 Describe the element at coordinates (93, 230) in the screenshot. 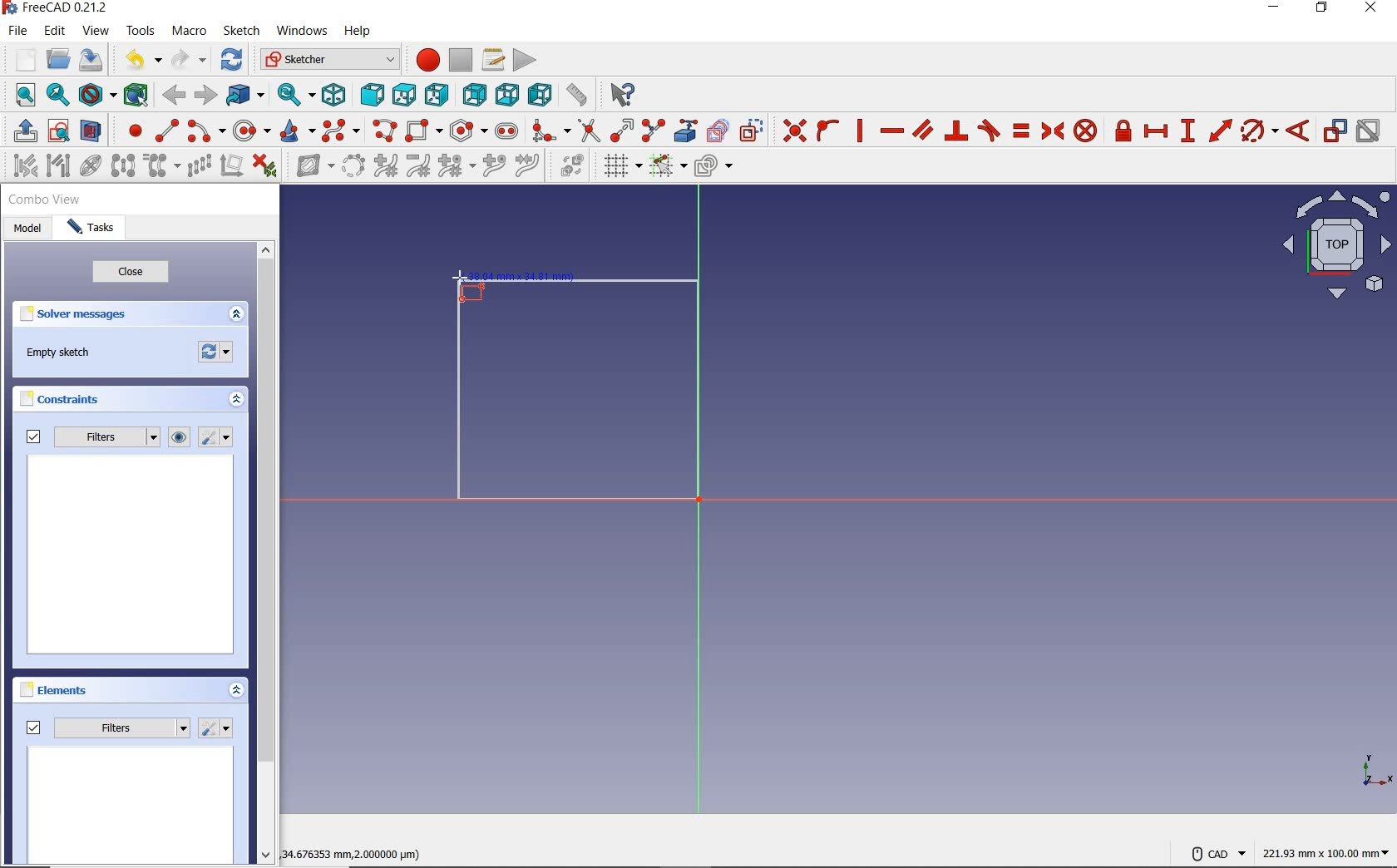

I see `tasks` at that location.